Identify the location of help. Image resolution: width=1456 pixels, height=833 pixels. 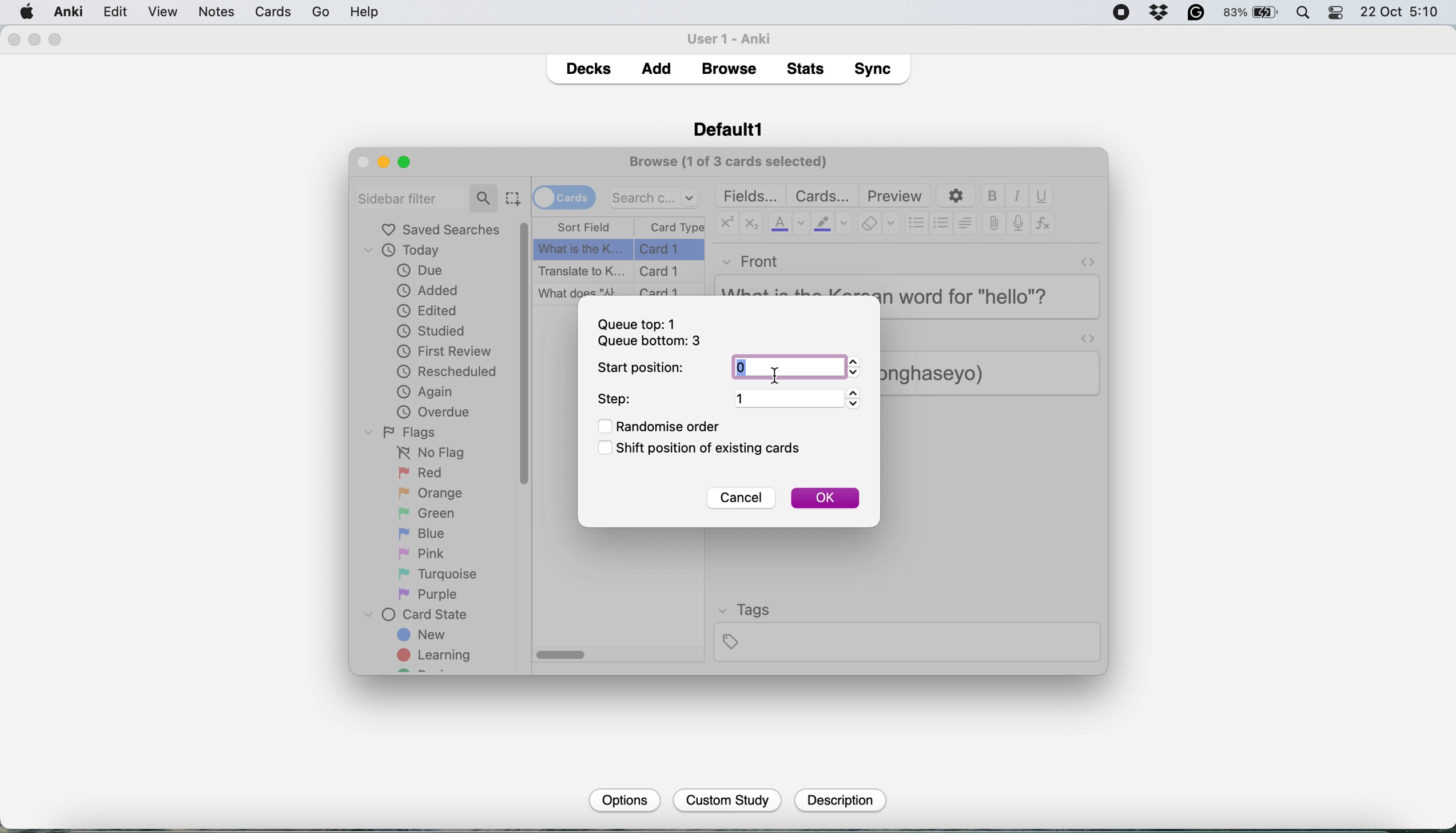
(309, 11).